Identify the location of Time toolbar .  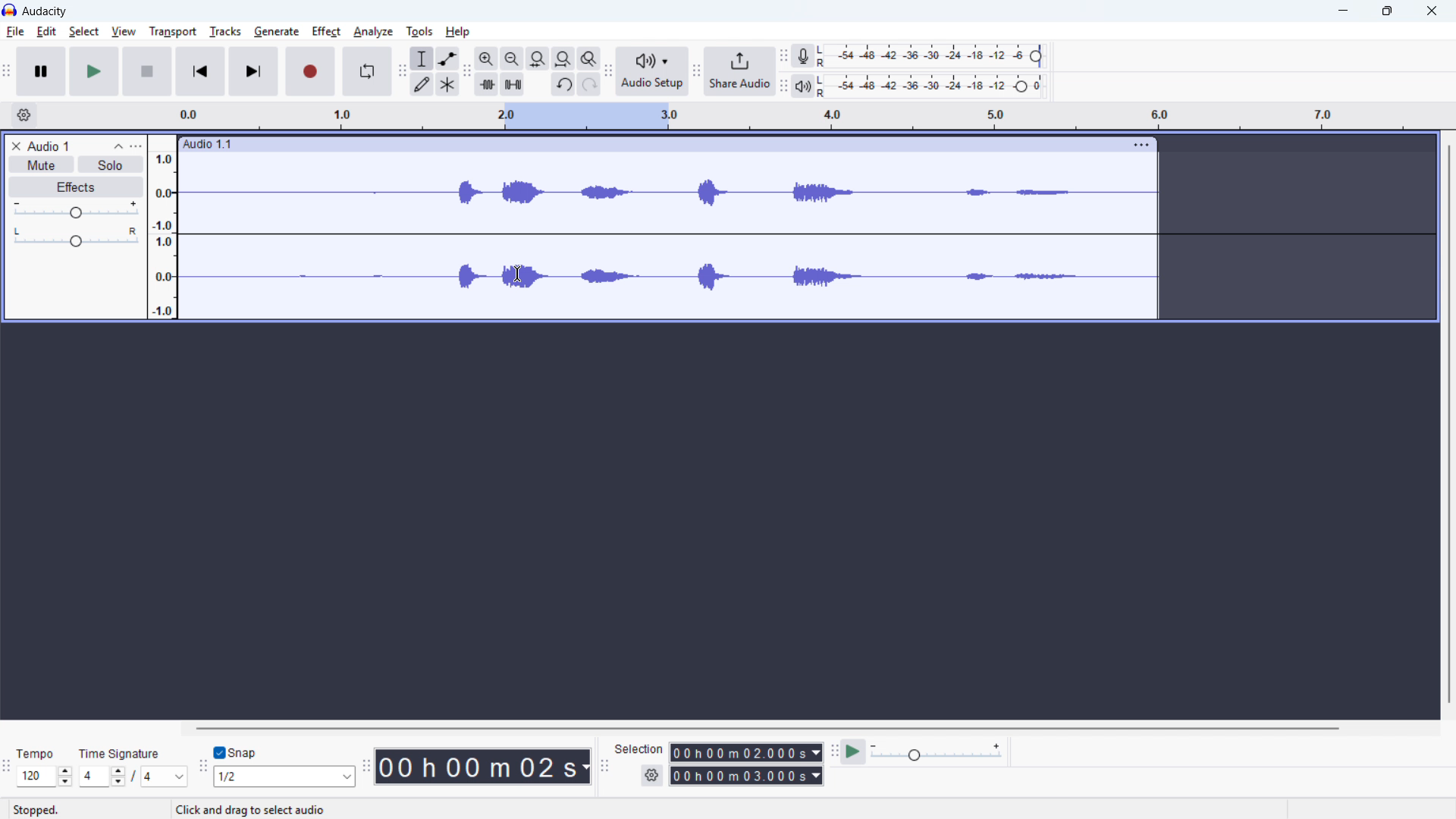
(366, 769).